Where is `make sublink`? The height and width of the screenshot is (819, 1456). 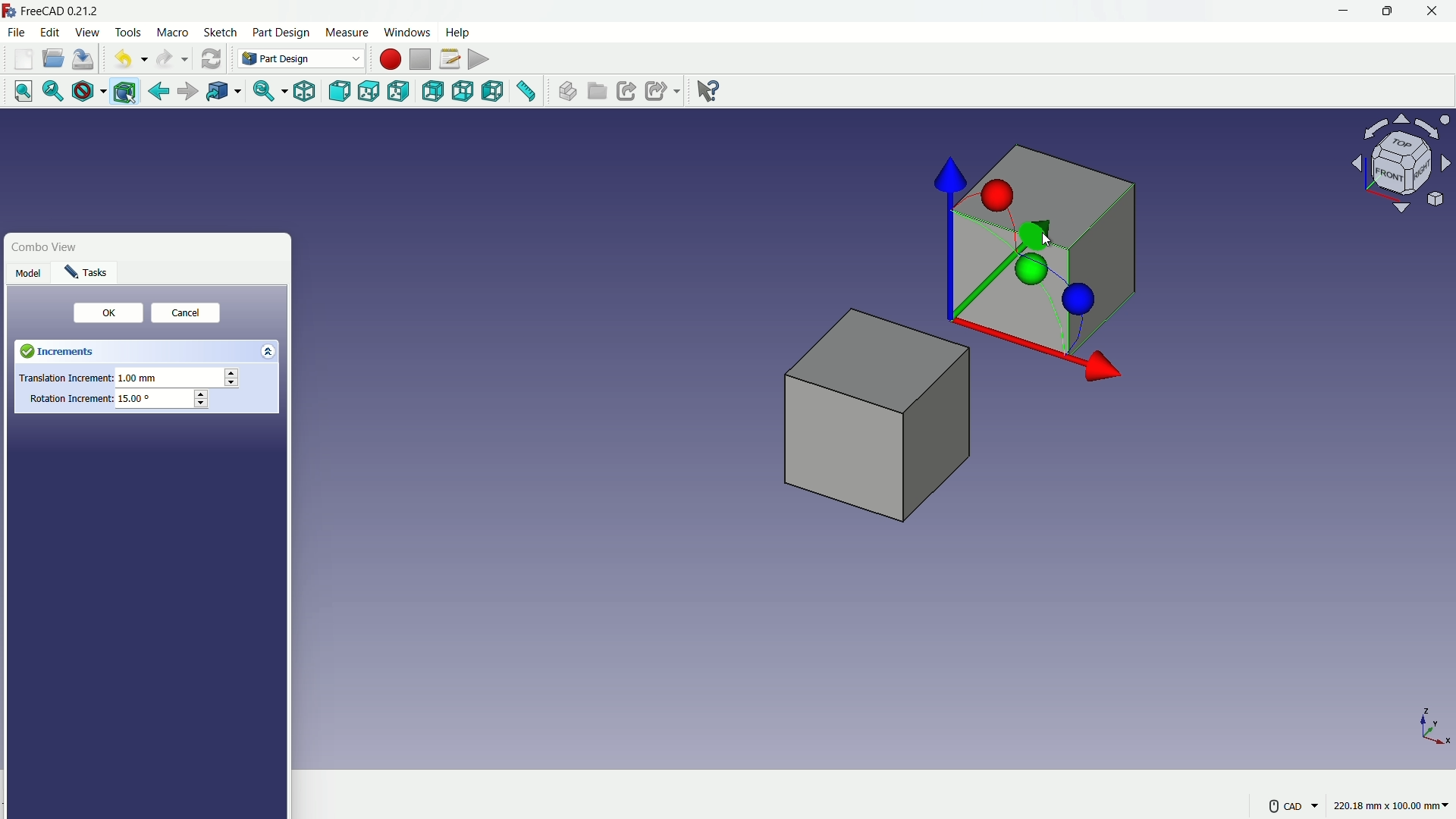 make sublink is located at coordinates (663, 91).